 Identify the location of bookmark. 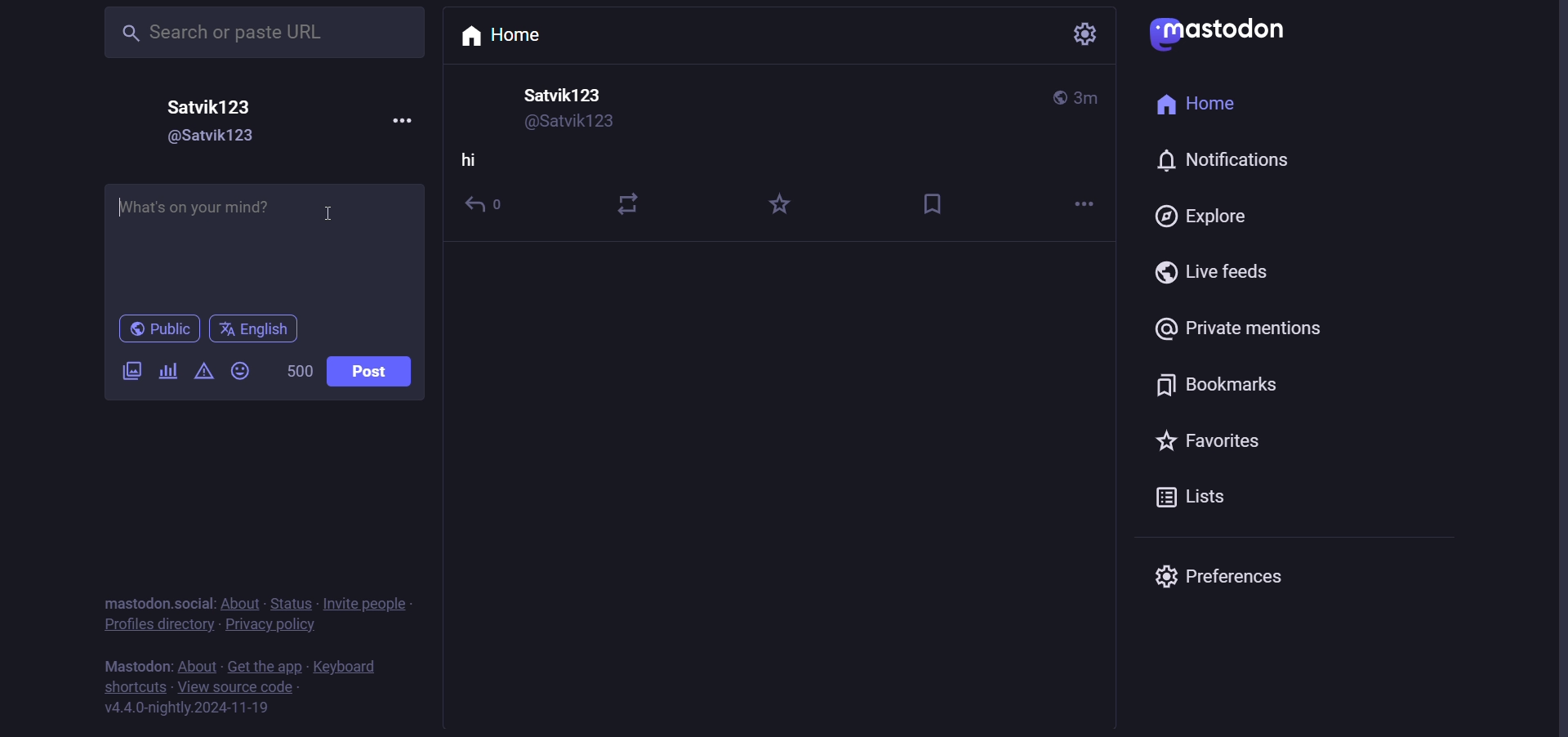
(937, 202).